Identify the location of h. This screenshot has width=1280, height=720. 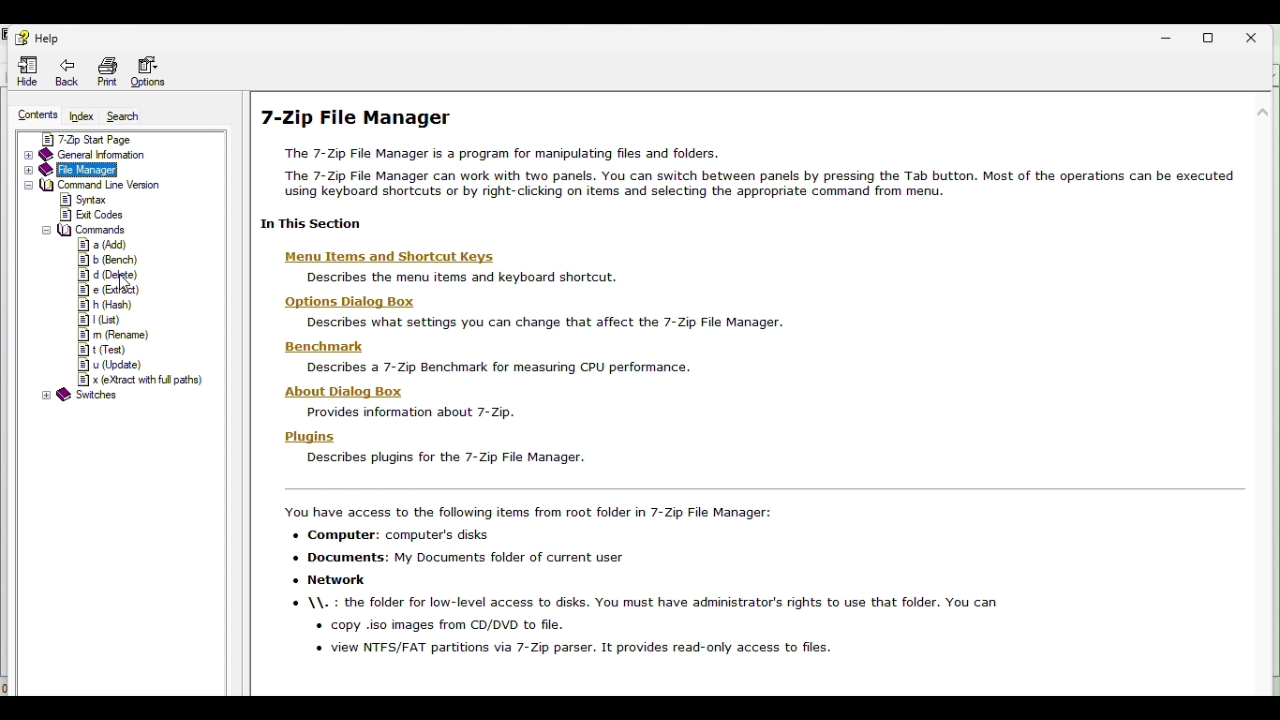
(109, 305).